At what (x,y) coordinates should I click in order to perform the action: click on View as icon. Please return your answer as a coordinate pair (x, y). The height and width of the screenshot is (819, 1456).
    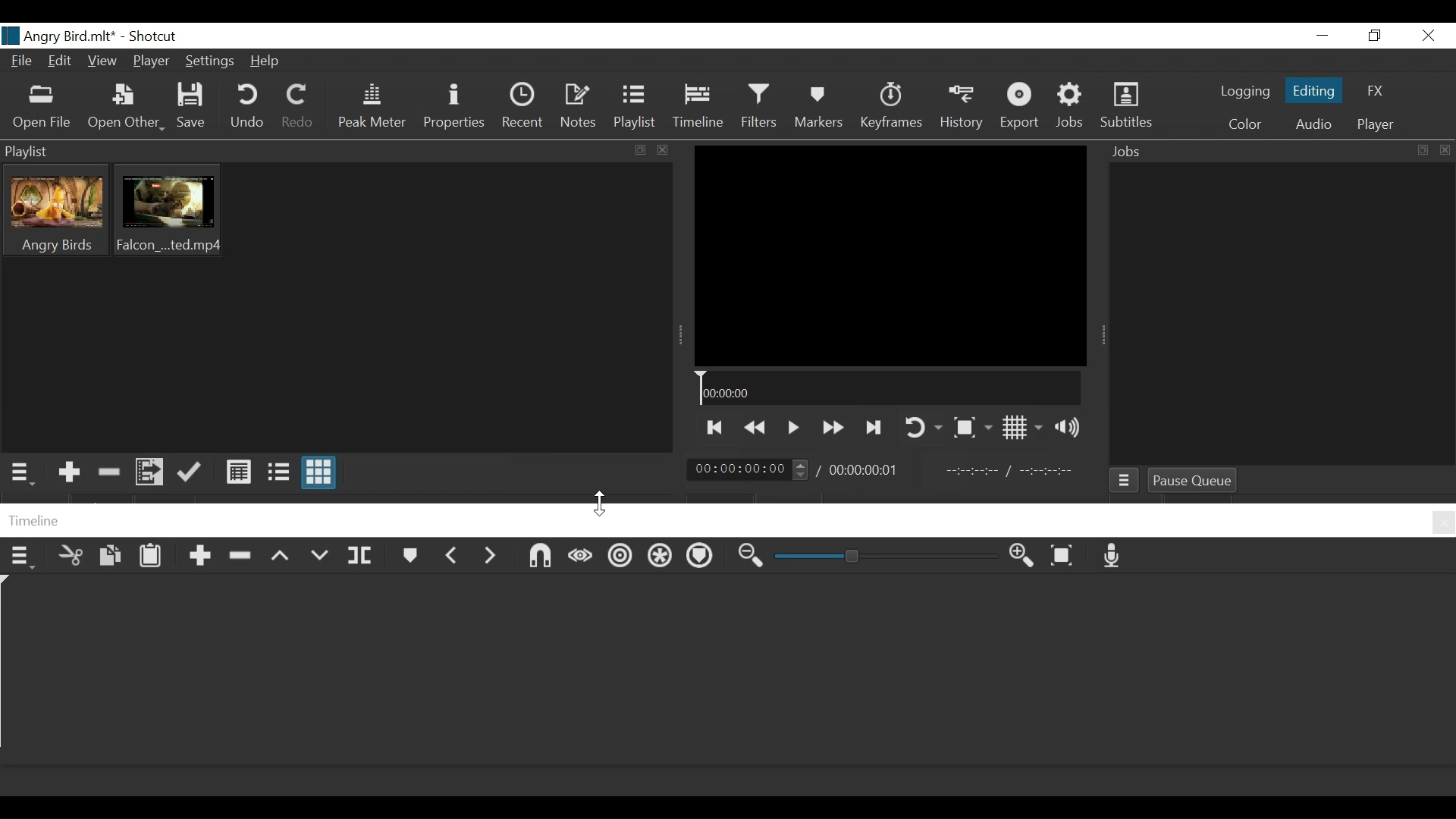
    Looking at the image, I should click on (322, 473).